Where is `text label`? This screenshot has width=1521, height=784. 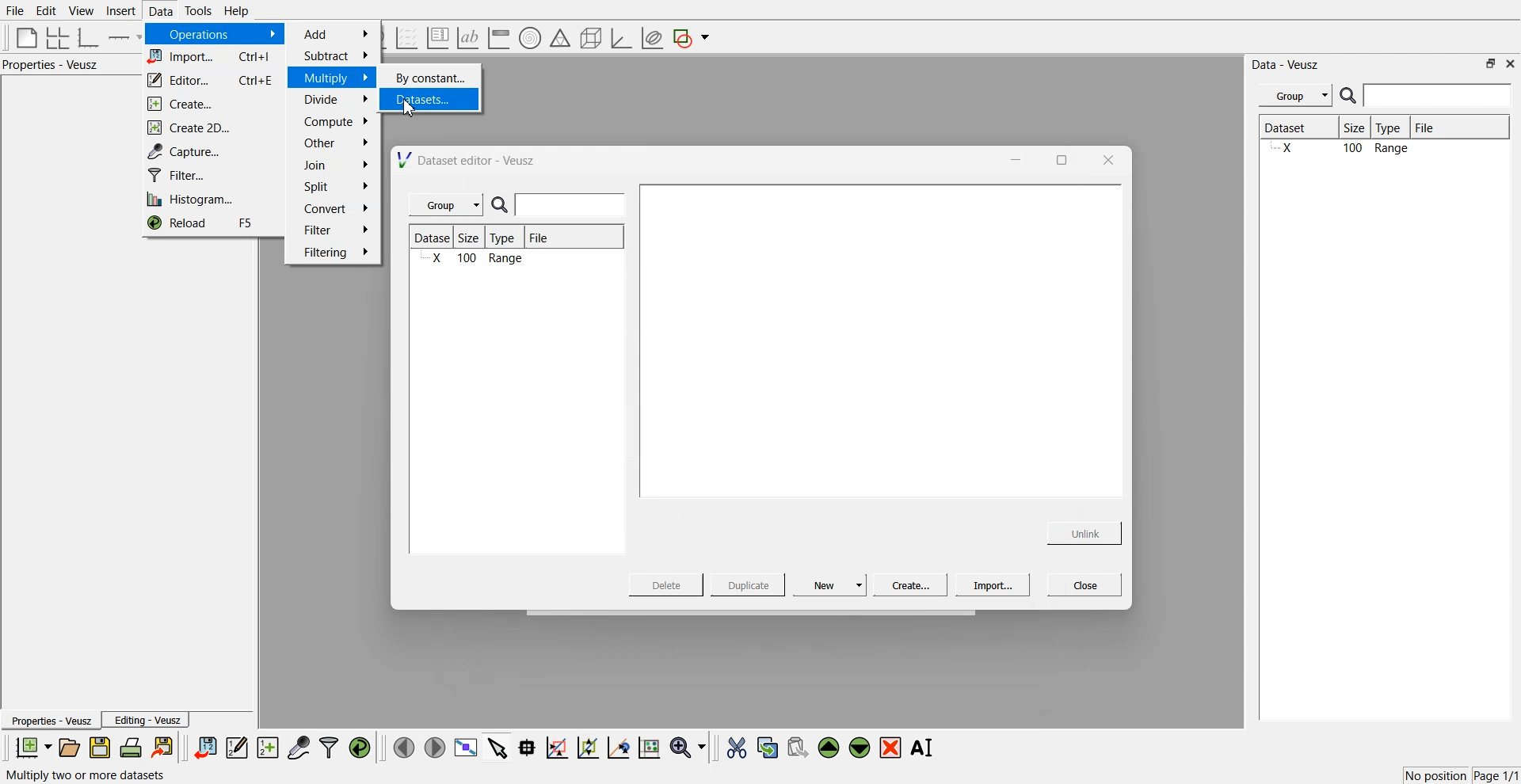 text label is located at coordinates (466, 38).